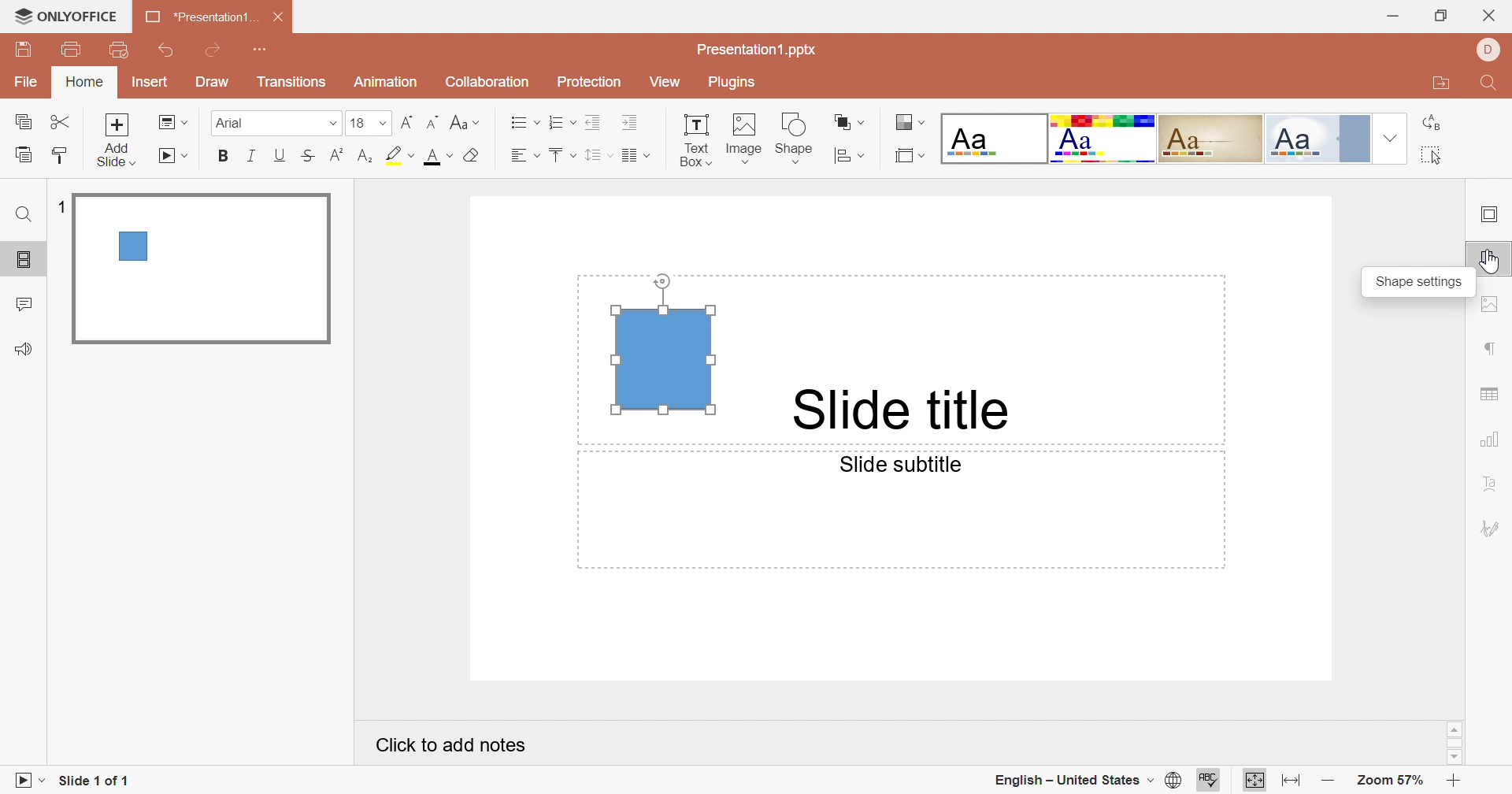 The width and height of the screenshot is (1512, 794). I want to click on Redo, so click(223, 54).